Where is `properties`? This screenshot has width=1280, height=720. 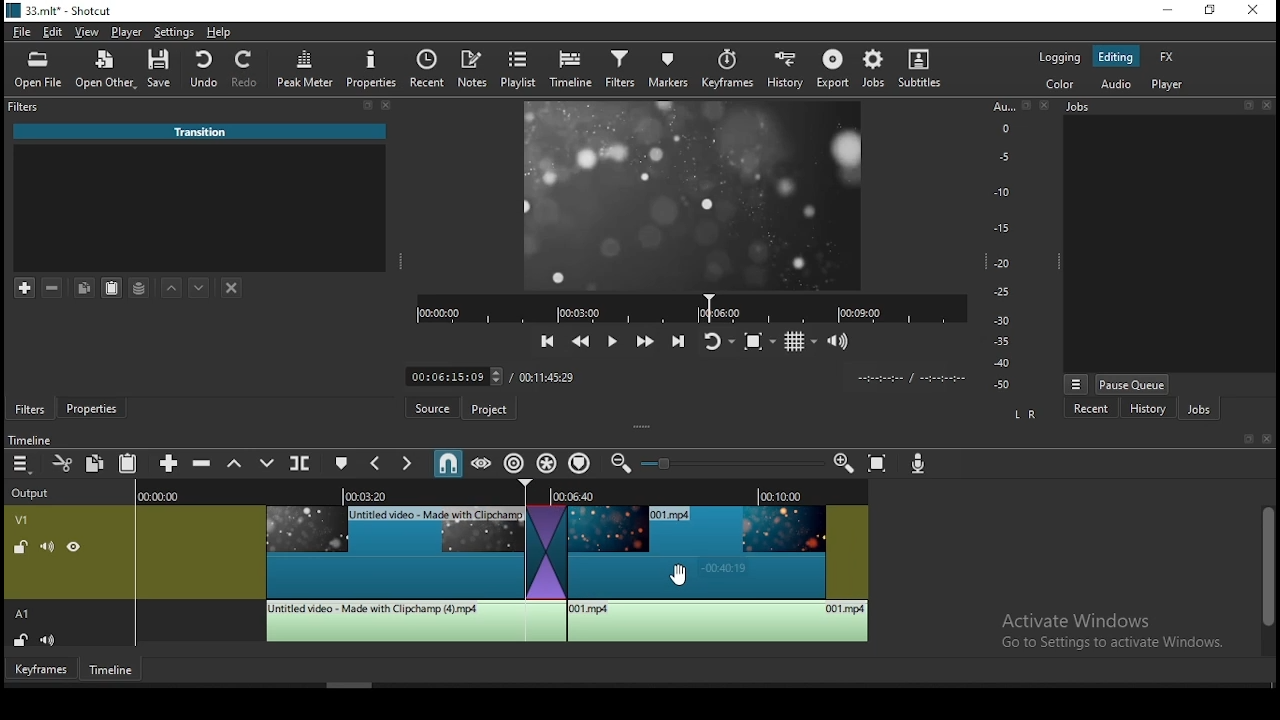 properties is located at coordinates (95, 407).